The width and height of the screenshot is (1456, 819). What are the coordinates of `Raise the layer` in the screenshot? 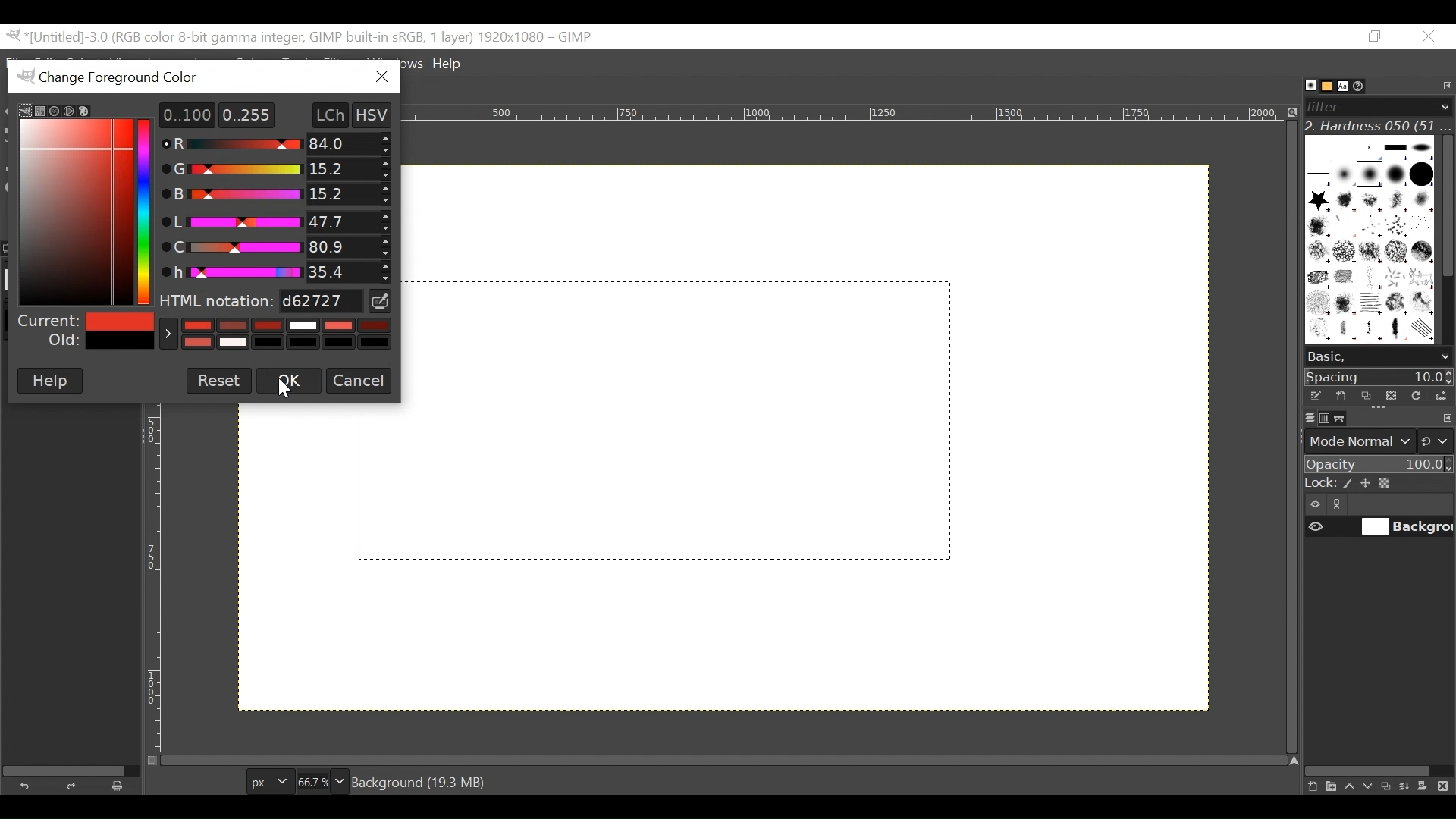 It's located at (1349, 786).